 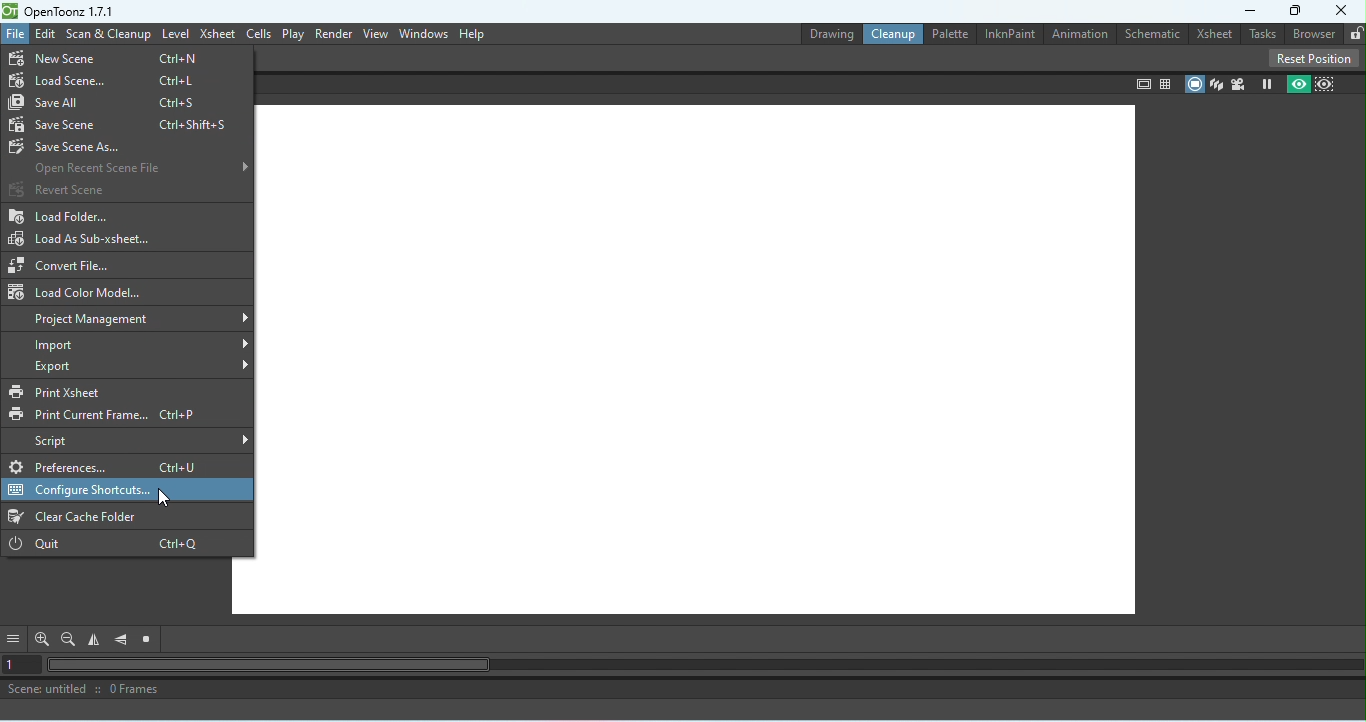 What do you see at coordinates (105, 78) in the screenshot?
I see `Load scene` at bounding box center [105, 78].